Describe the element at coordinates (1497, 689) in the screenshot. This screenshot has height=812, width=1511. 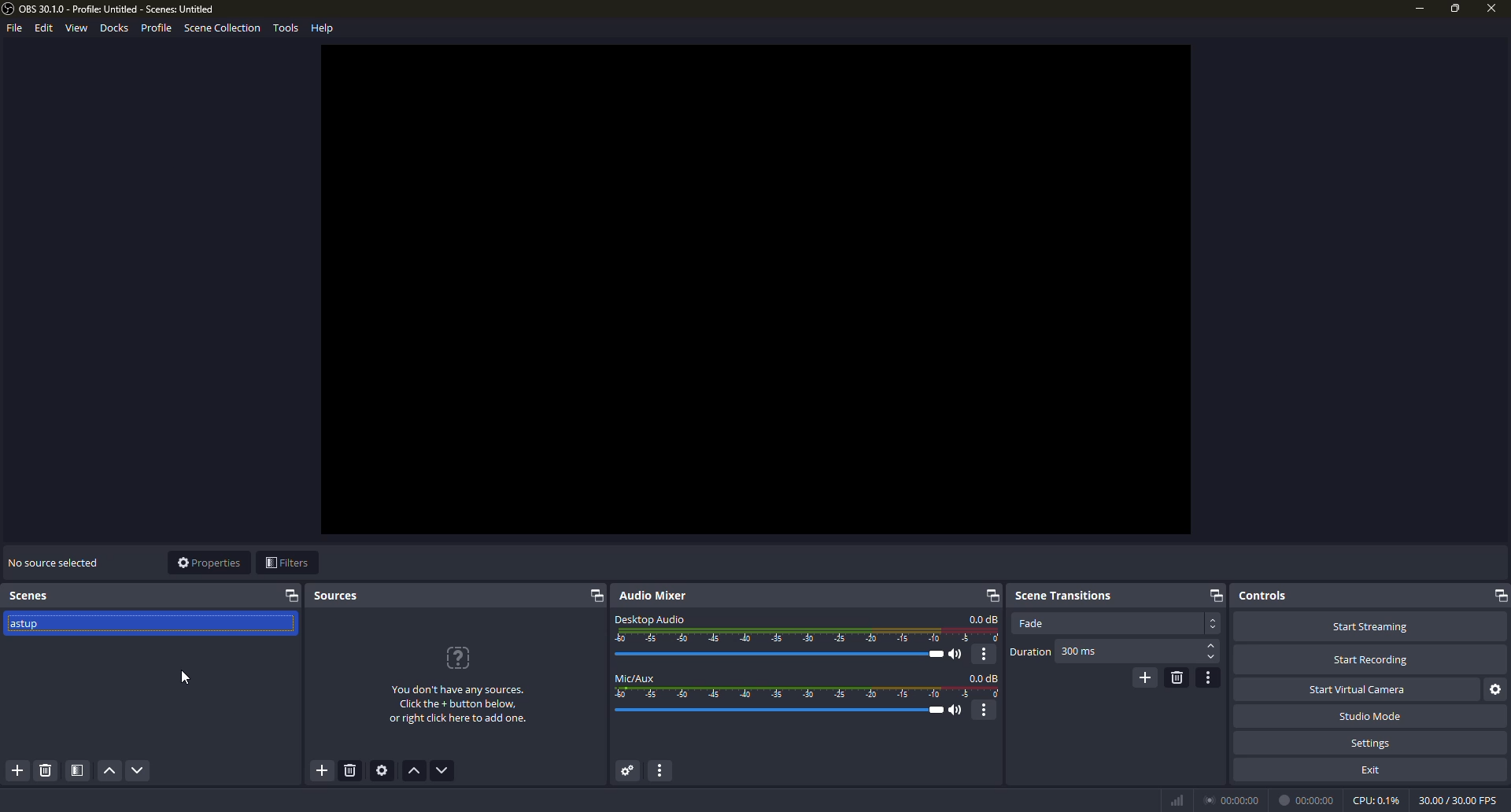
I see `configure virtual camera` at that location.